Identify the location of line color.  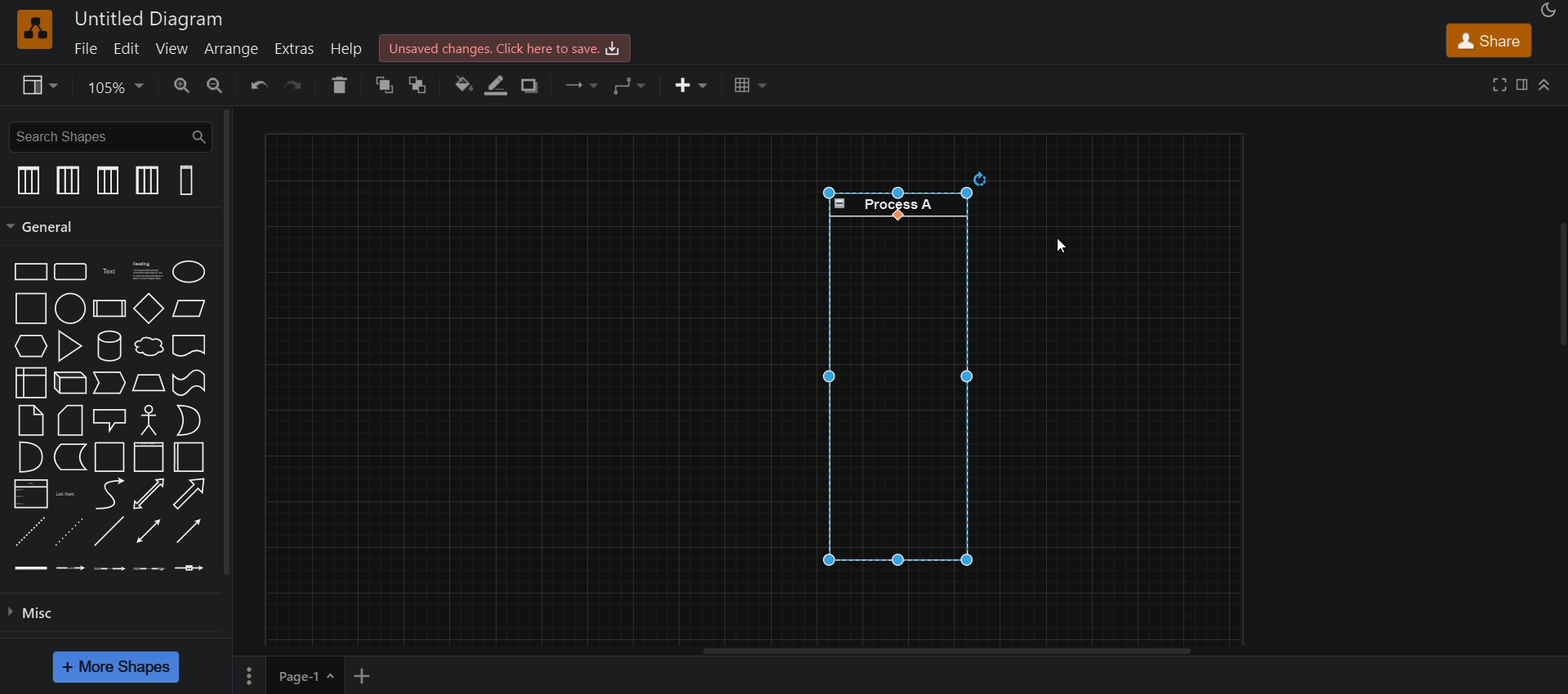
(501, 85).